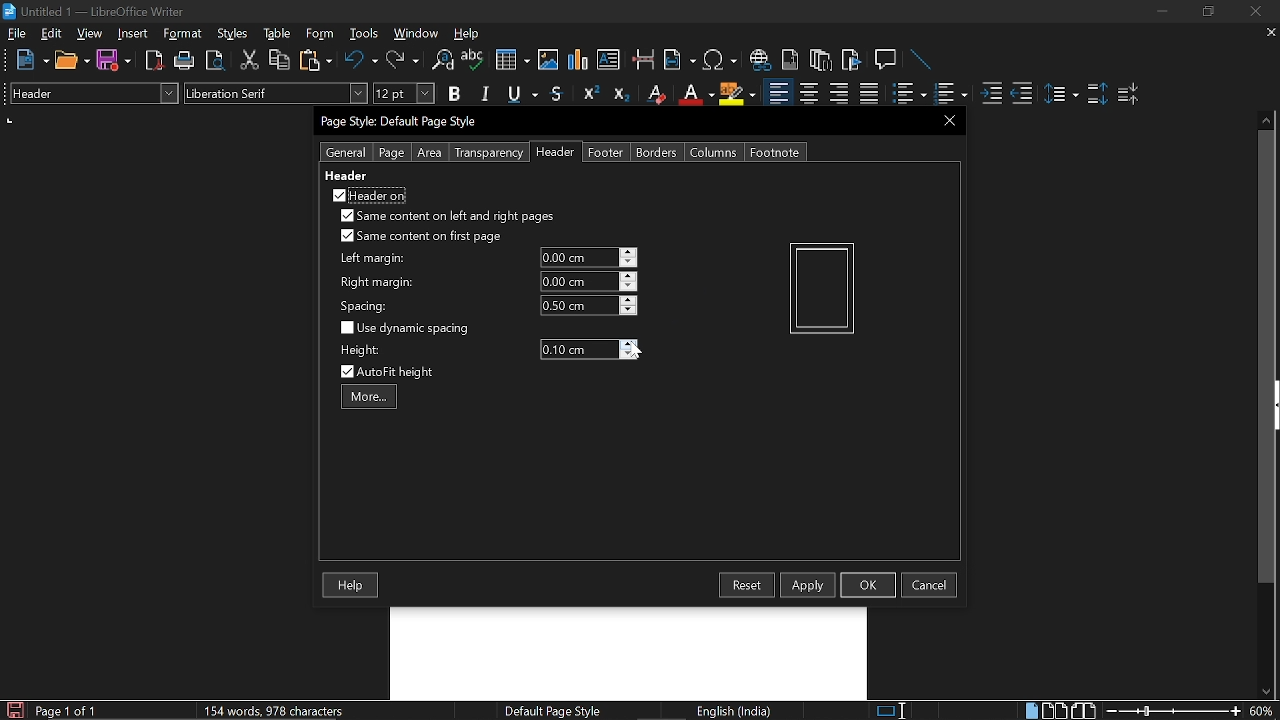  What do you see at coordinates (868, 584) in the screenshot?
I see `Ok` at bounding box center [868, 584].